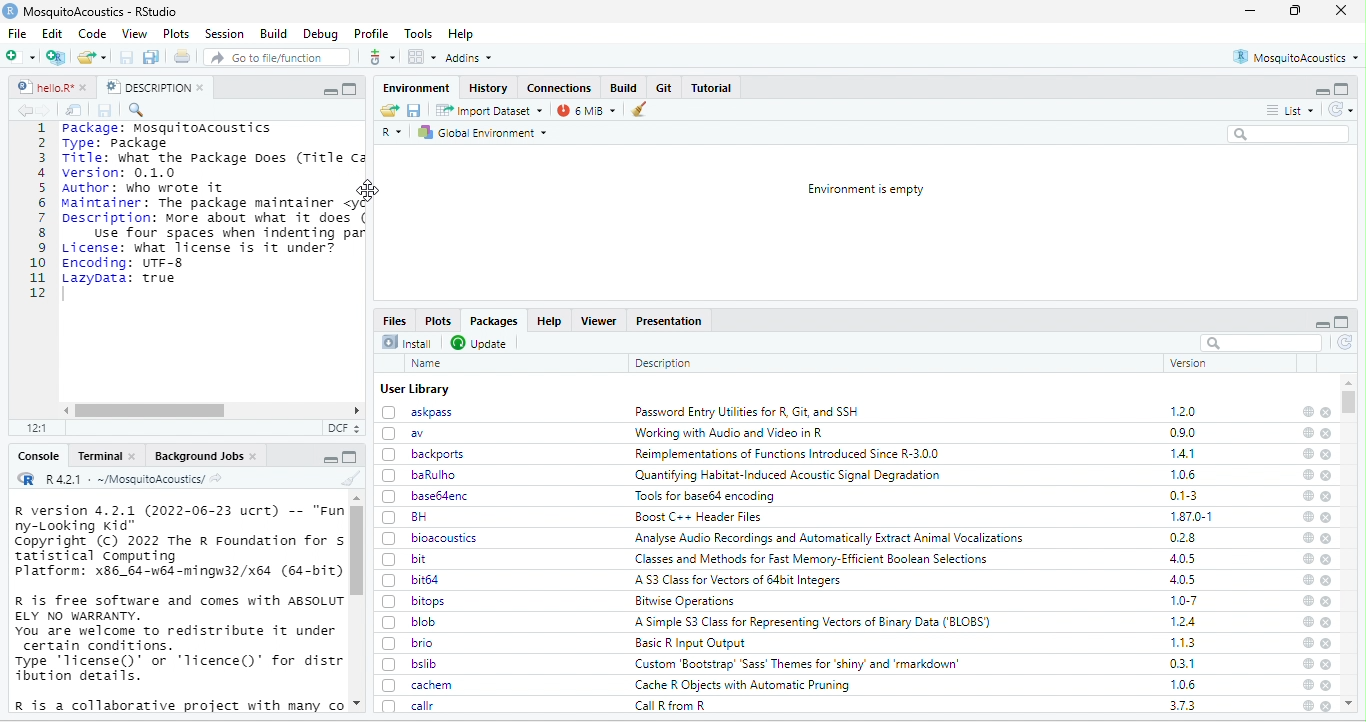 The width and height of the screenshot is (1366, 722). Describe the element at coordinates (183, 56) in the screenshot. I see `Print` at that location.